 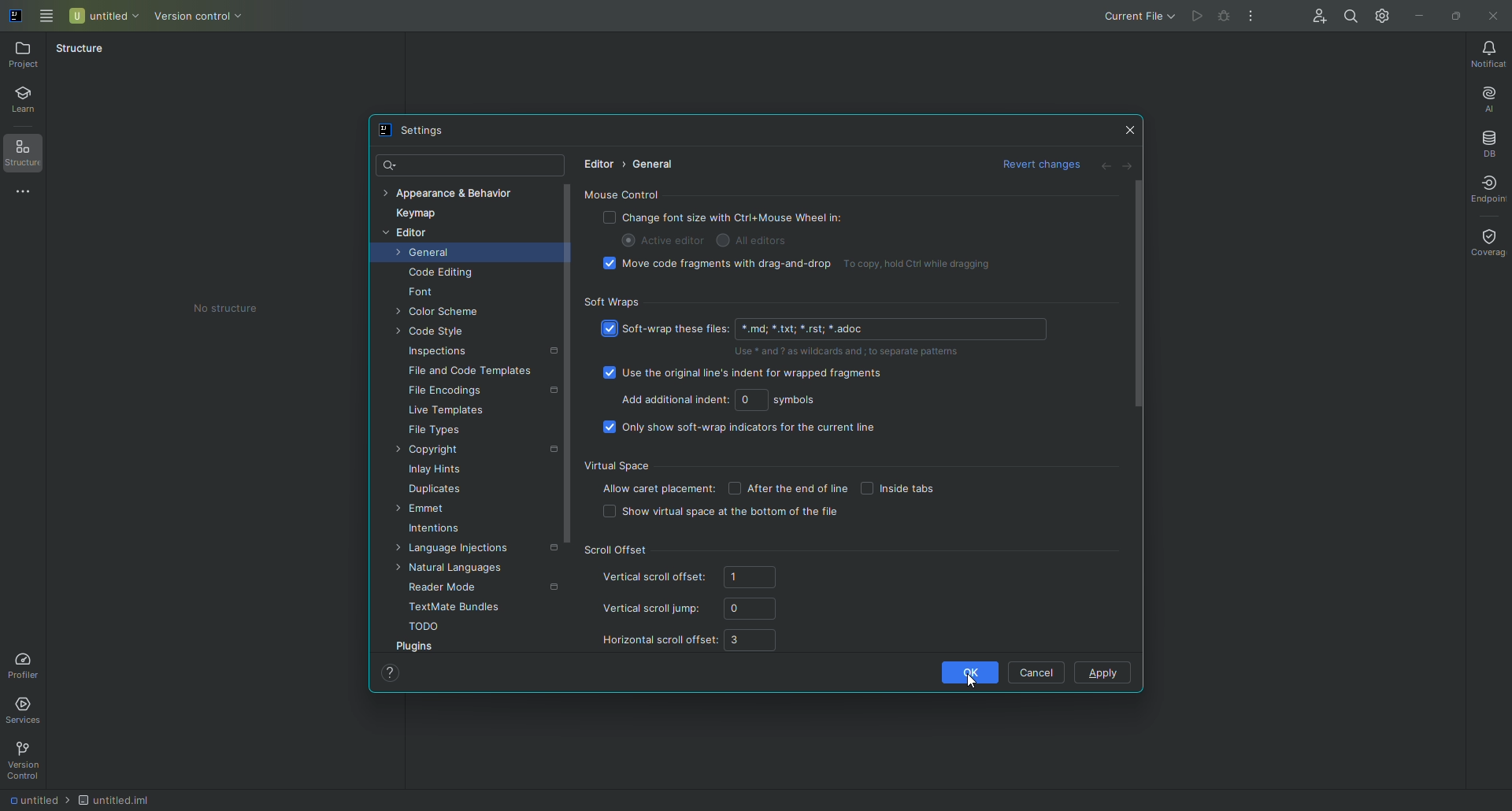 I want to click on To copy, hold Ctrl , so click(x=926, y=265).